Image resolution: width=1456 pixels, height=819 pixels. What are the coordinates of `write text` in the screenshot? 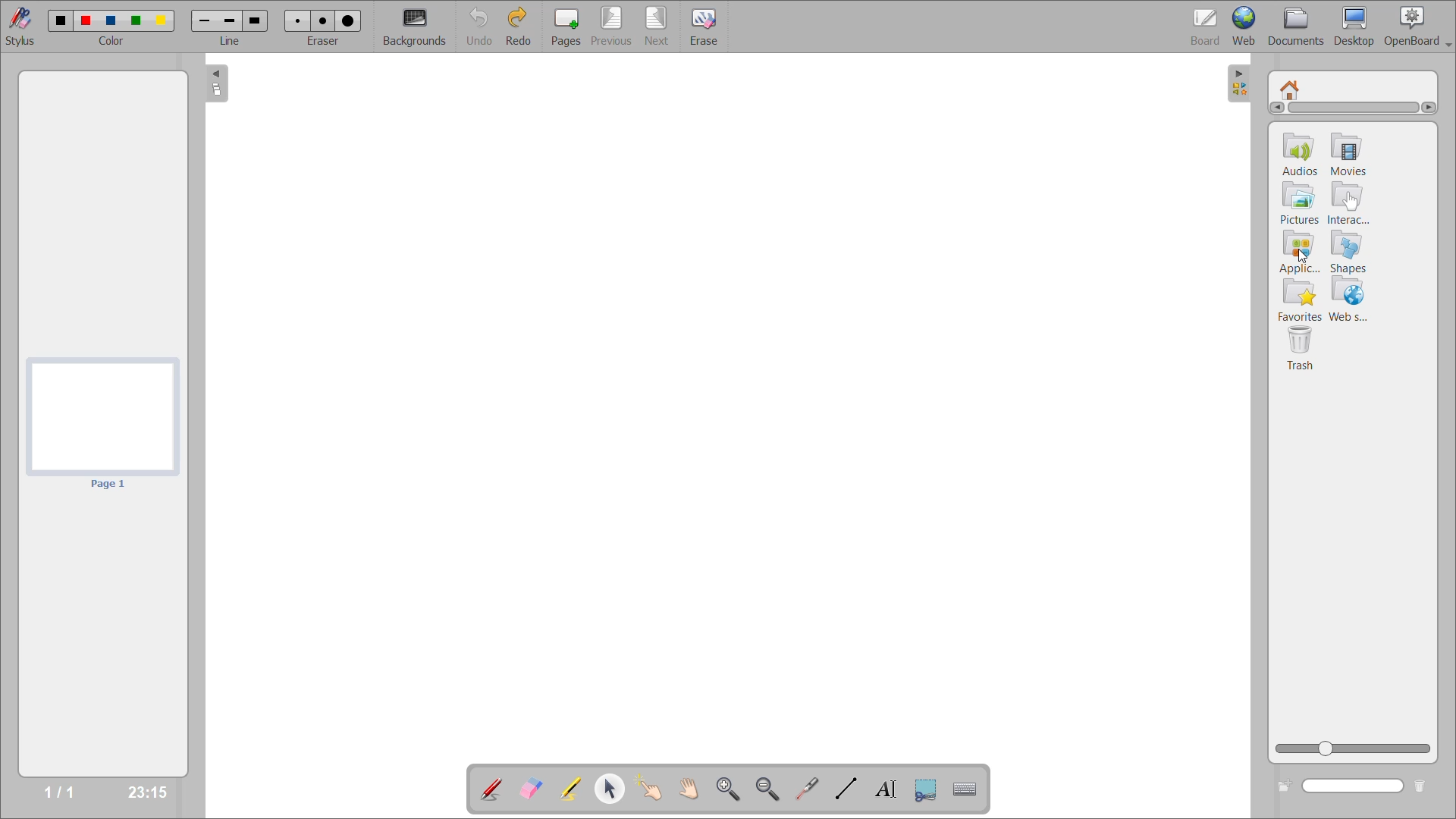 It's located at (885, 789).